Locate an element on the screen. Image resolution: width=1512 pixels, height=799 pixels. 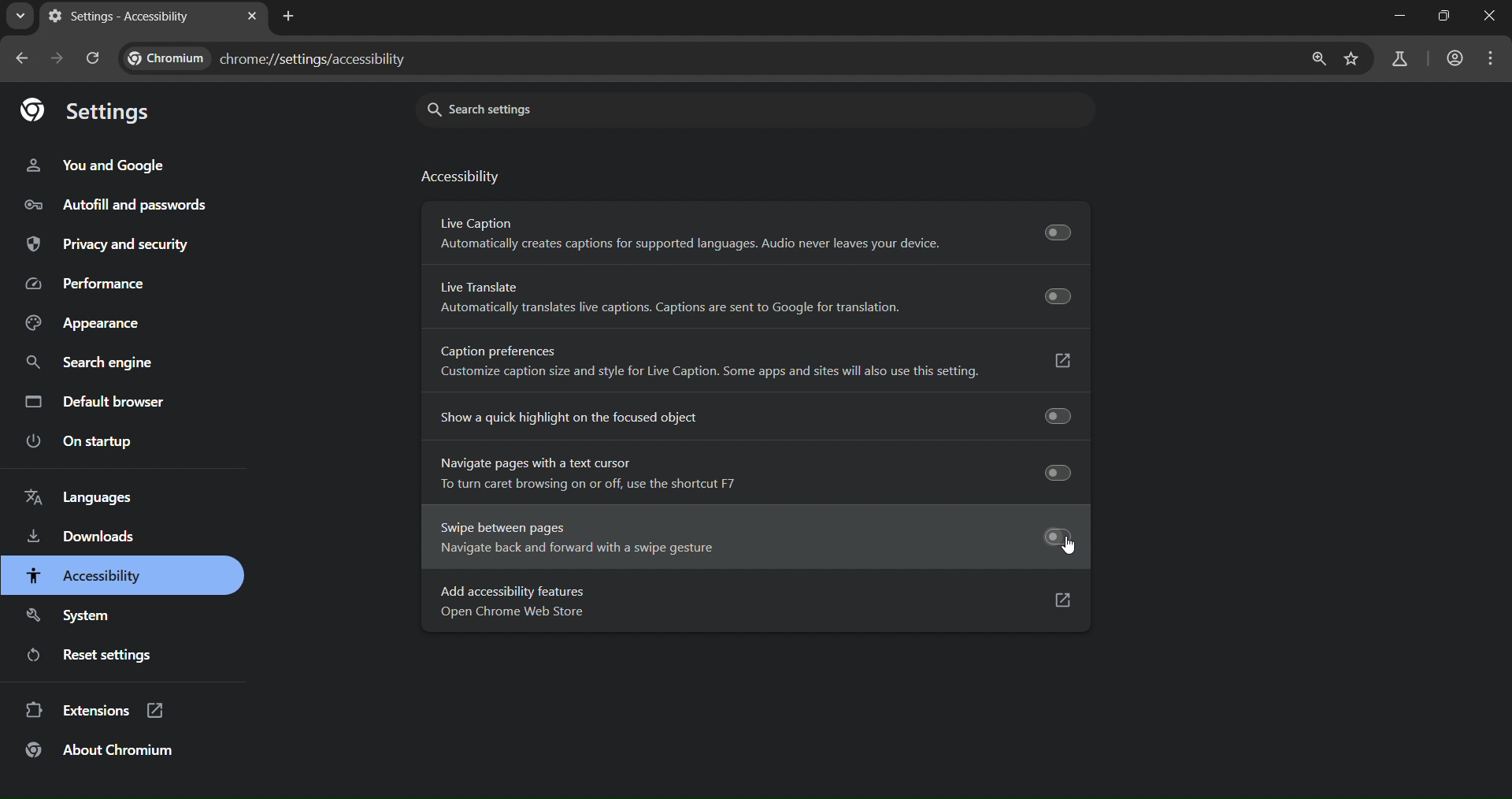
close is located at coordinates (1484, 21).